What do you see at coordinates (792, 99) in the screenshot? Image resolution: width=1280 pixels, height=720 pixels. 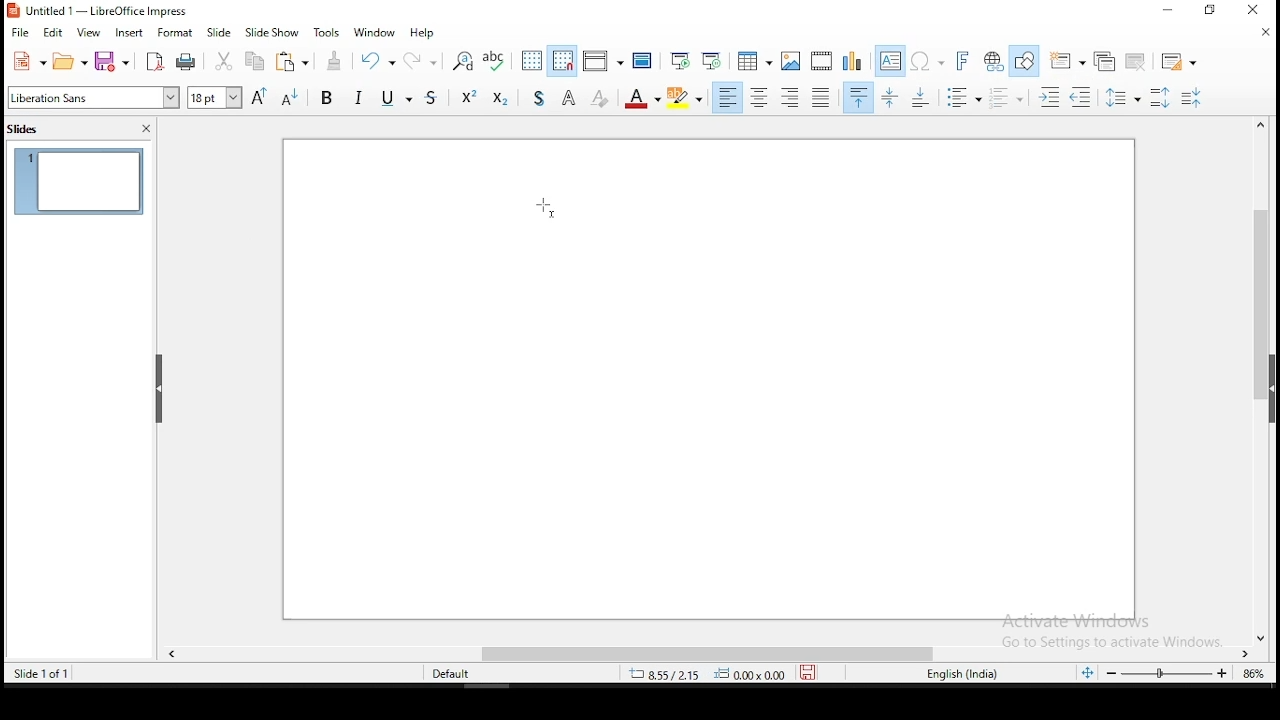 I see `align right` at bounding box center [792, 99].